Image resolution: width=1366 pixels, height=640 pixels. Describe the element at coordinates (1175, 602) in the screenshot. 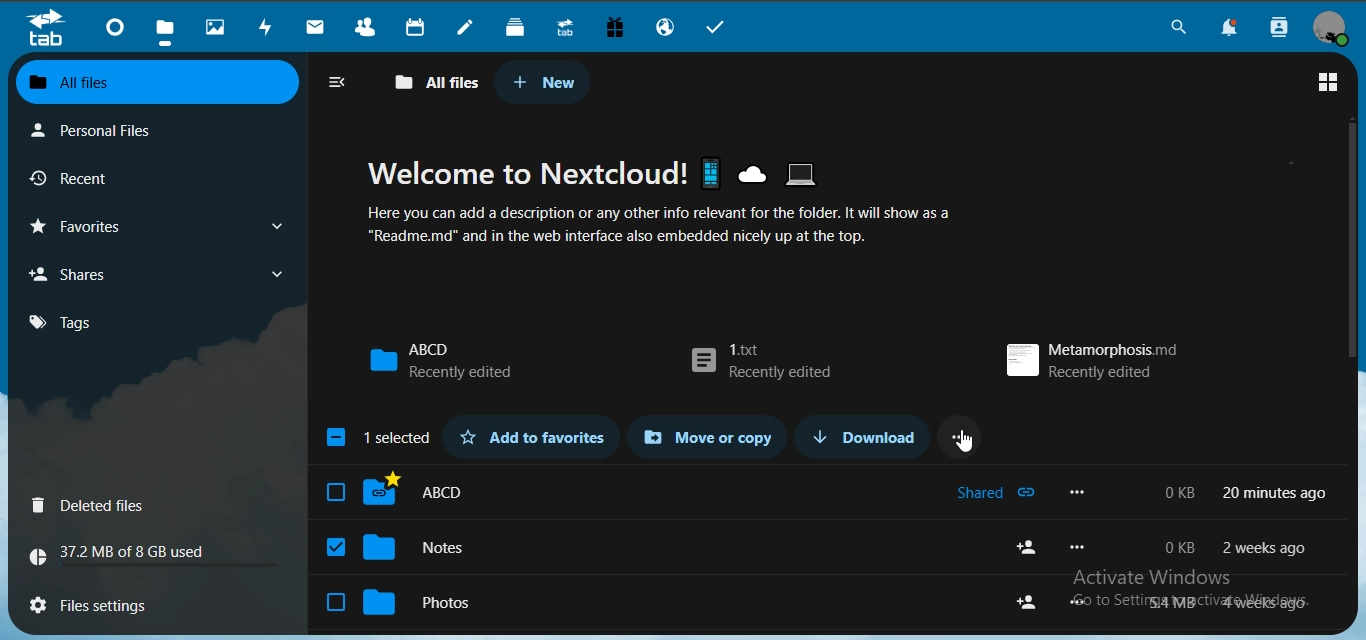

I see `54 mb` at that location.